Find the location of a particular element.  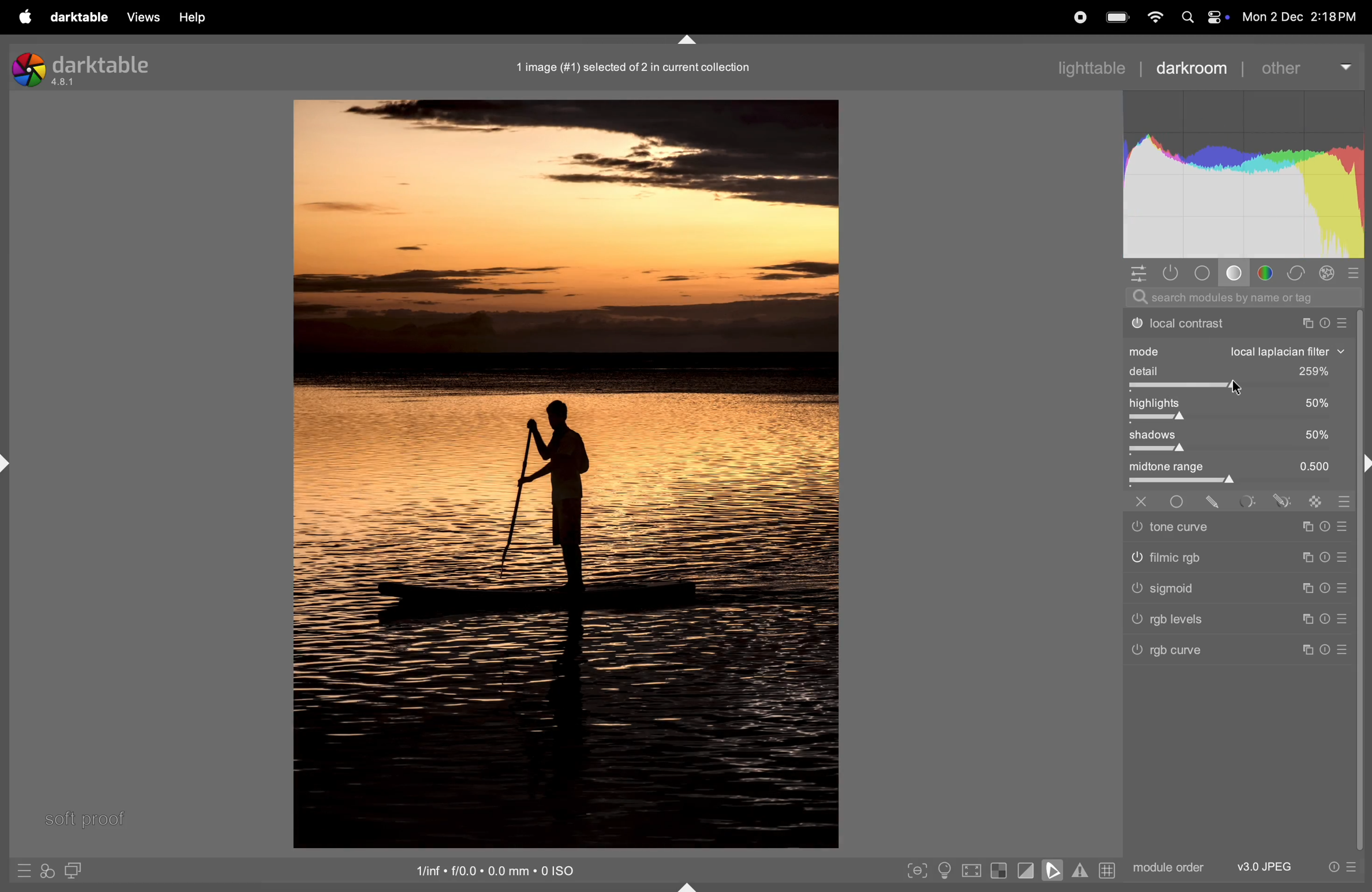

soft proof is located at coordinates (88, 818).